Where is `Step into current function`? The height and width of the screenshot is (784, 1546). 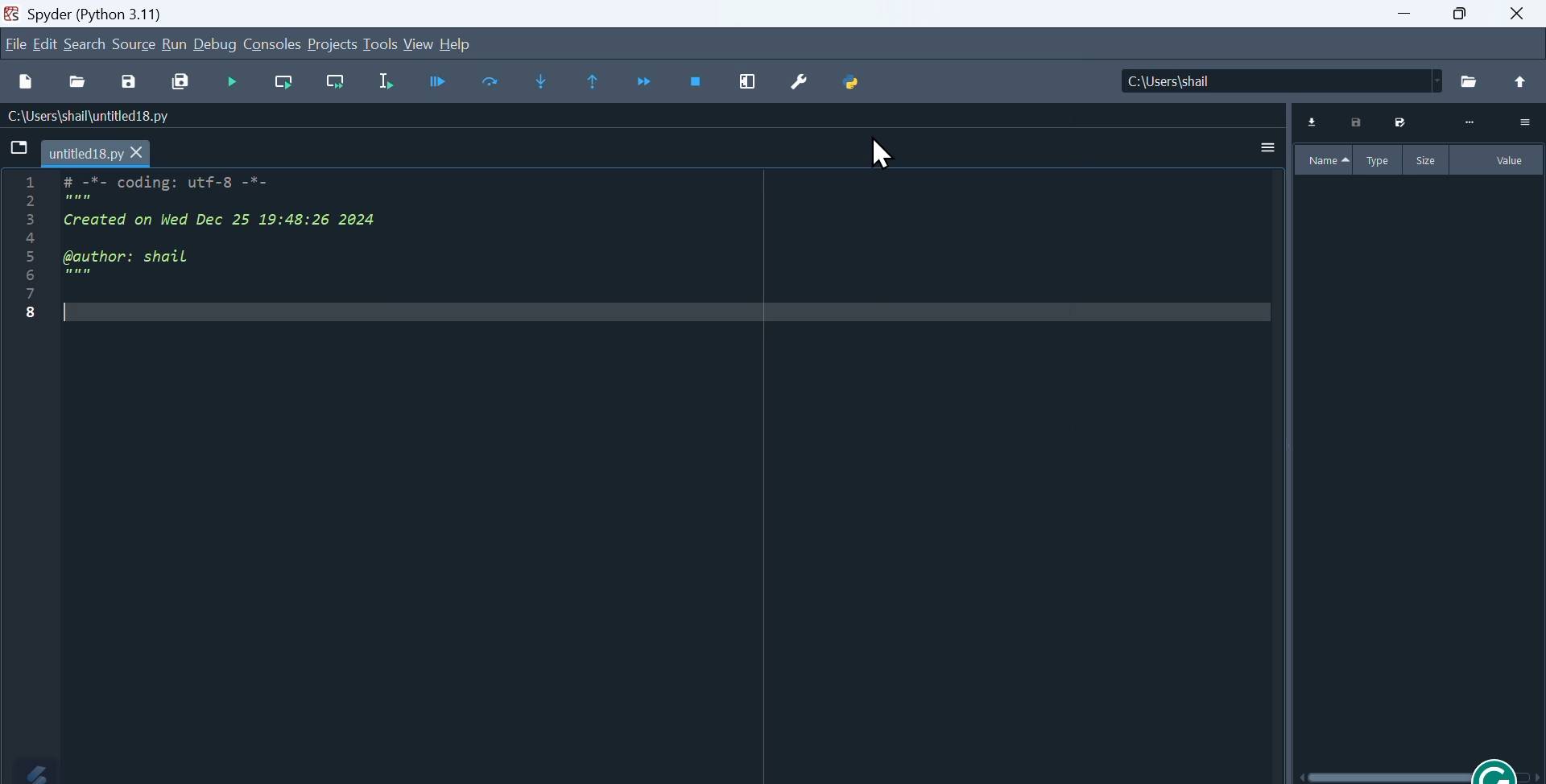 Step into current function is located at coordinates (539, 82).